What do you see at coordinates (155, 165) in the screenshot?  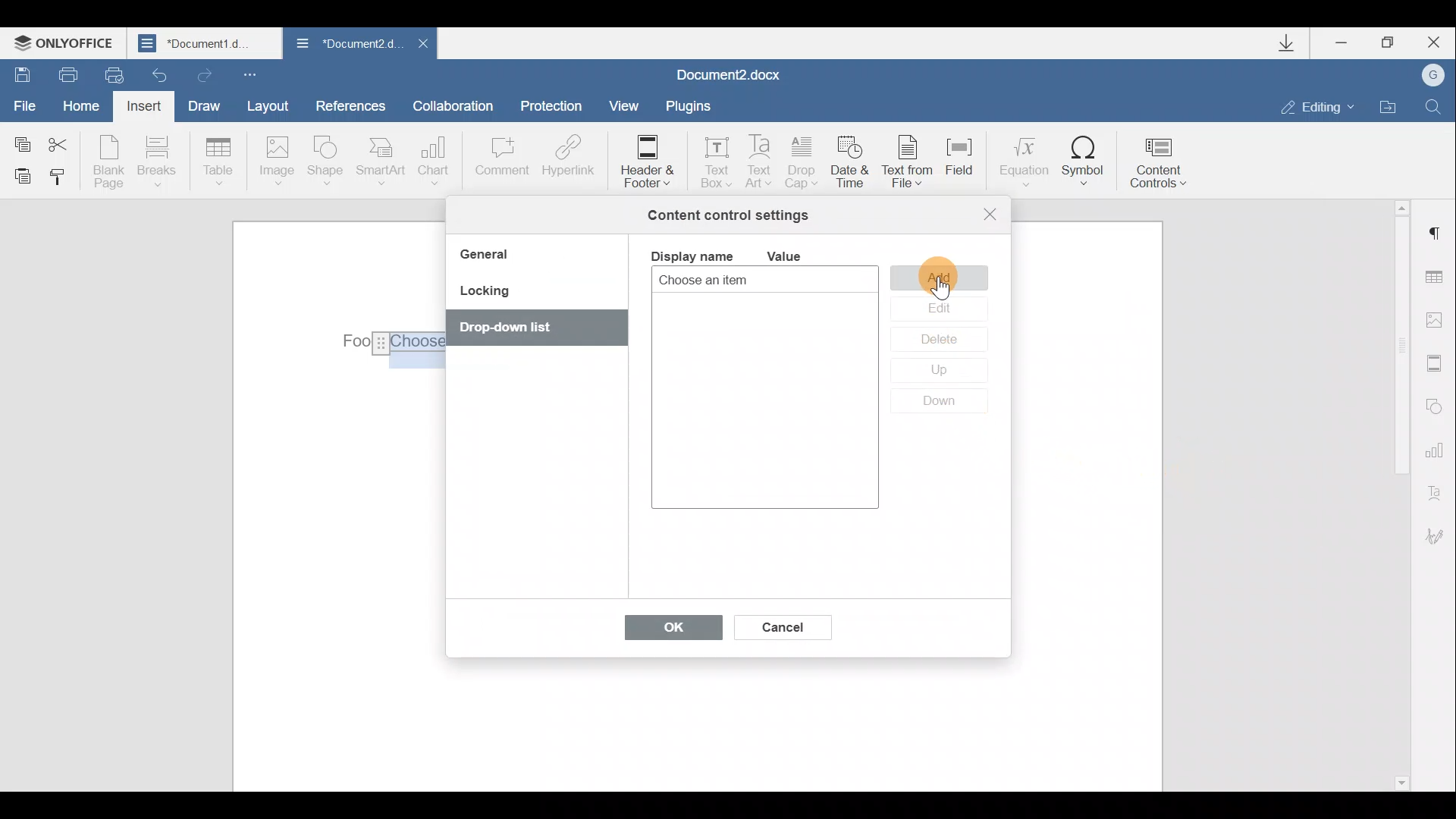 I see `Breaks` at bounding box center [155, 165].